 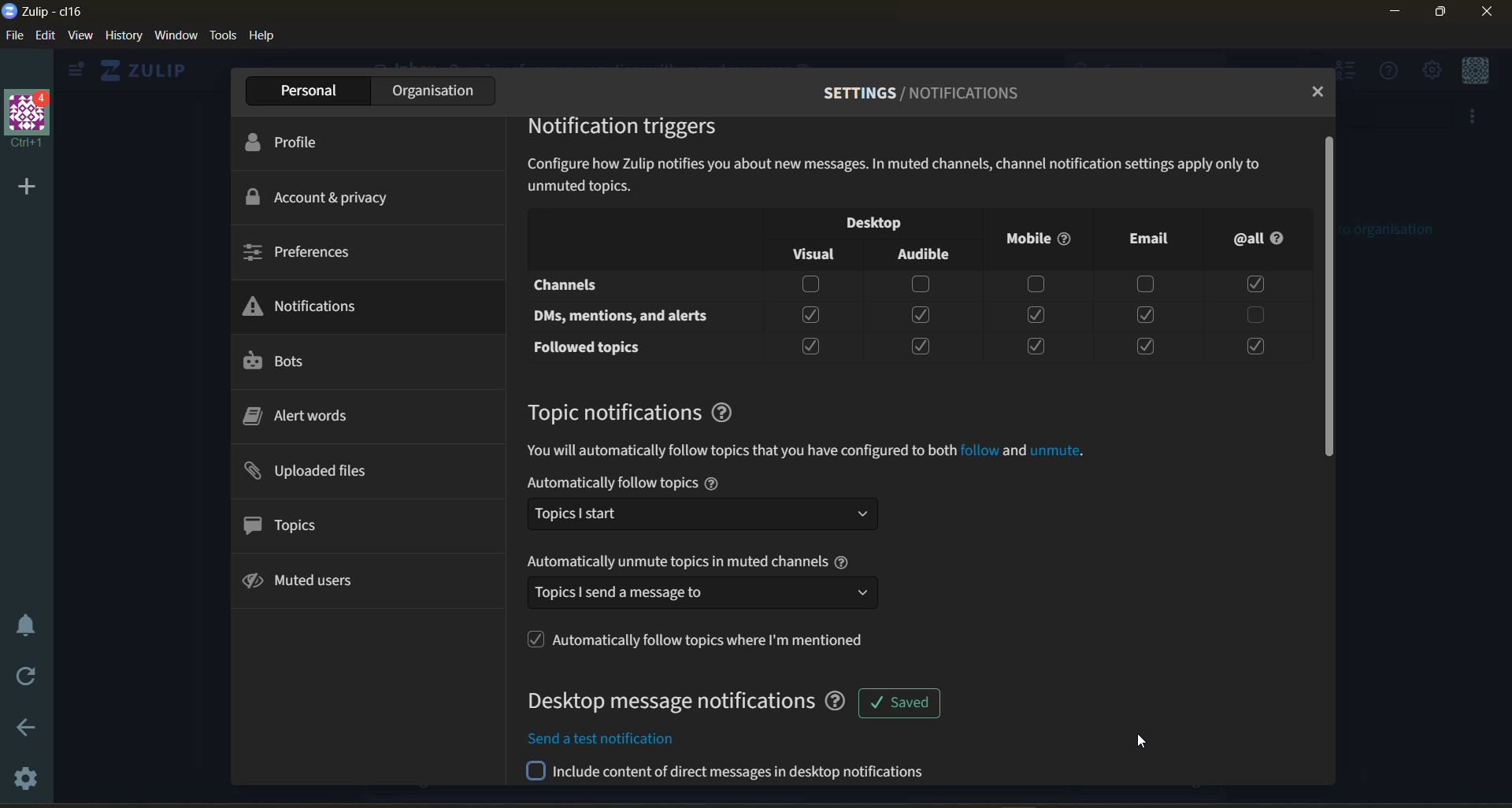 I want to click on organisation, so click(x=430, y=90).